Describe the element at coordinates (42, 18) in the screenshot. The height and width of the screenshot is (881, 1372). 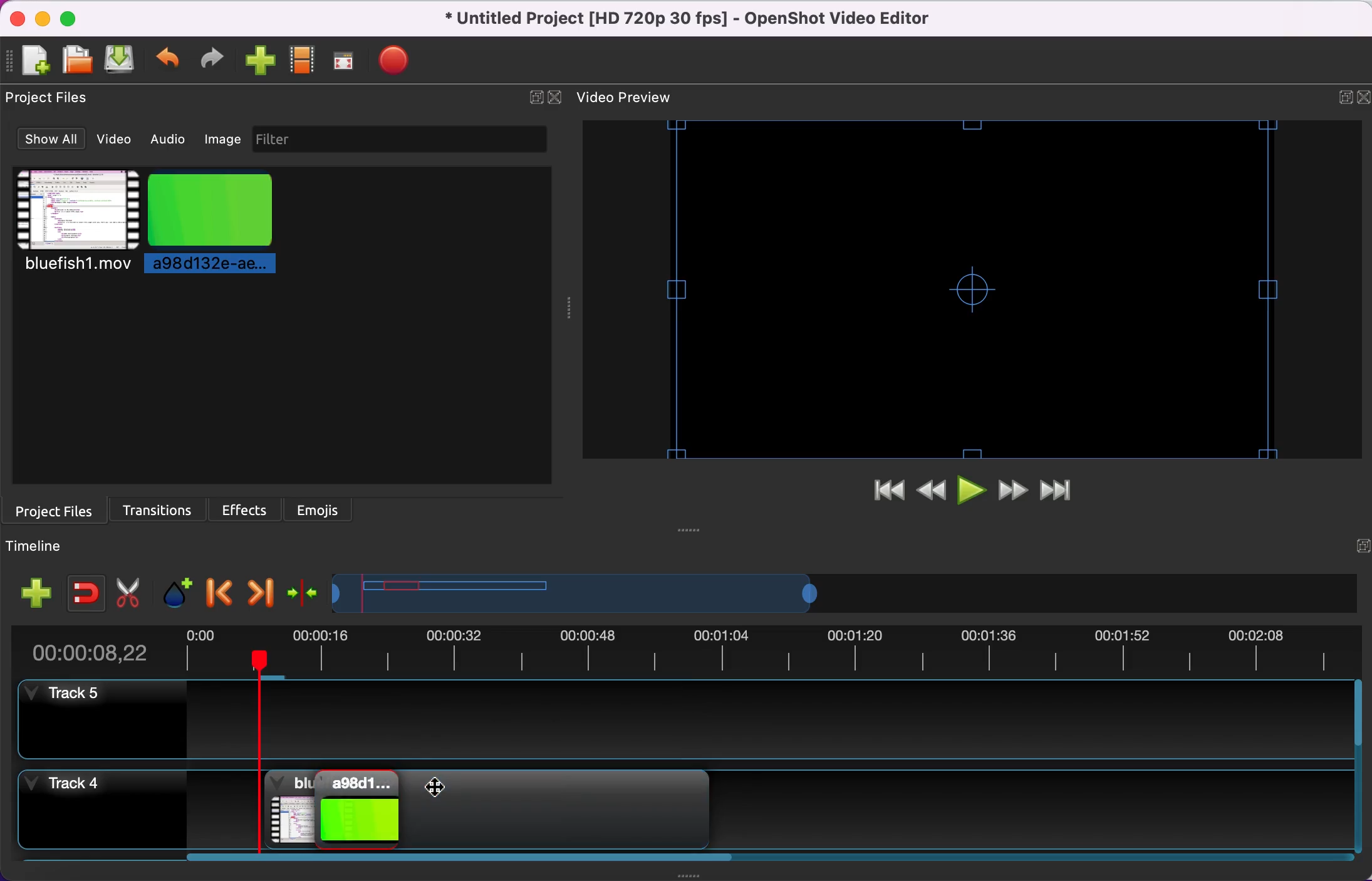
I see `minimize` at that location.